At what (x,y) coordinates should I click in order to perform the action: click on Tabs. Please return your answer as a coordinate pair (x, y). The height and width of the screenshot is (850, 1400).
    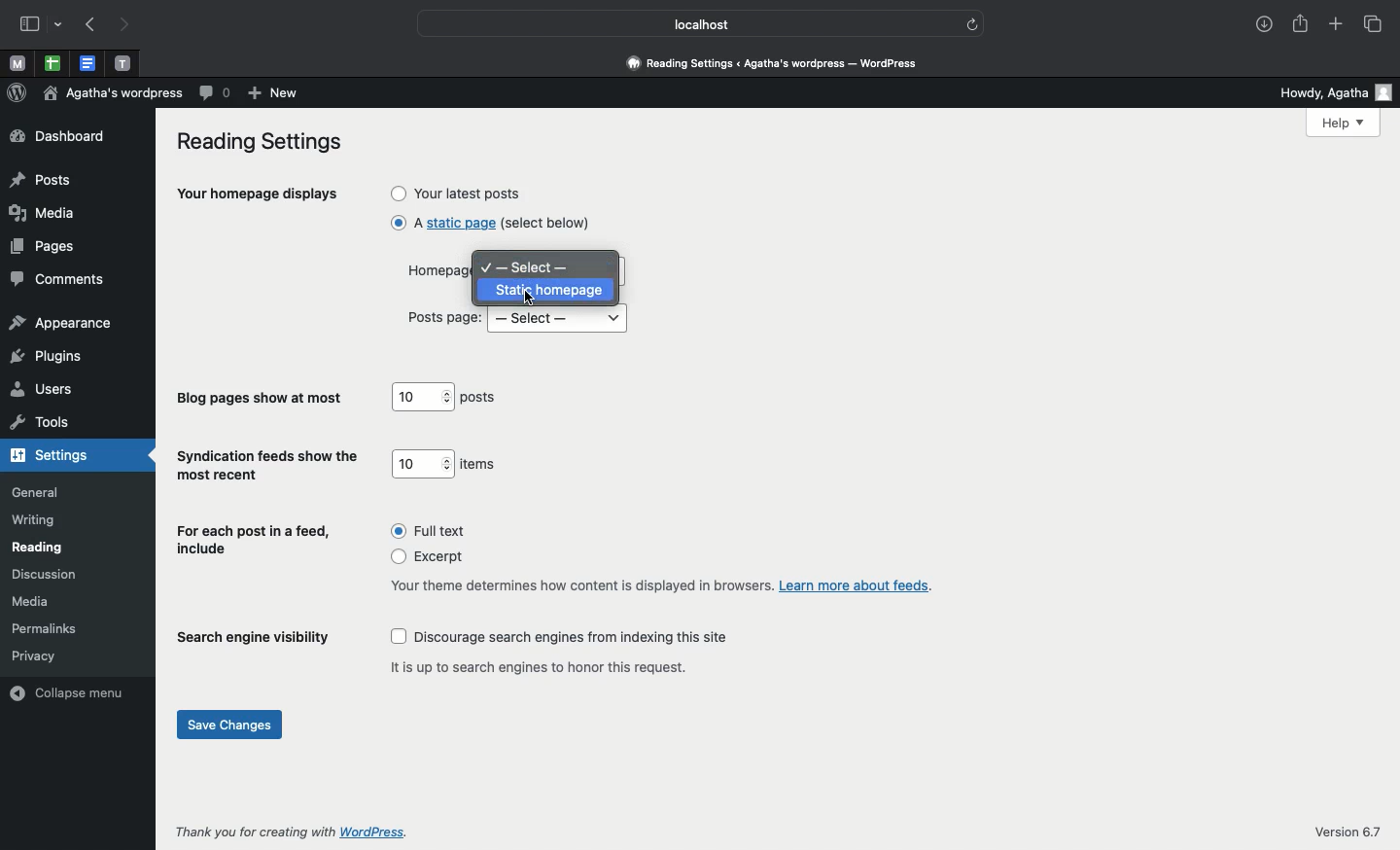
    Looking at the image, I should click on (1377, 25).